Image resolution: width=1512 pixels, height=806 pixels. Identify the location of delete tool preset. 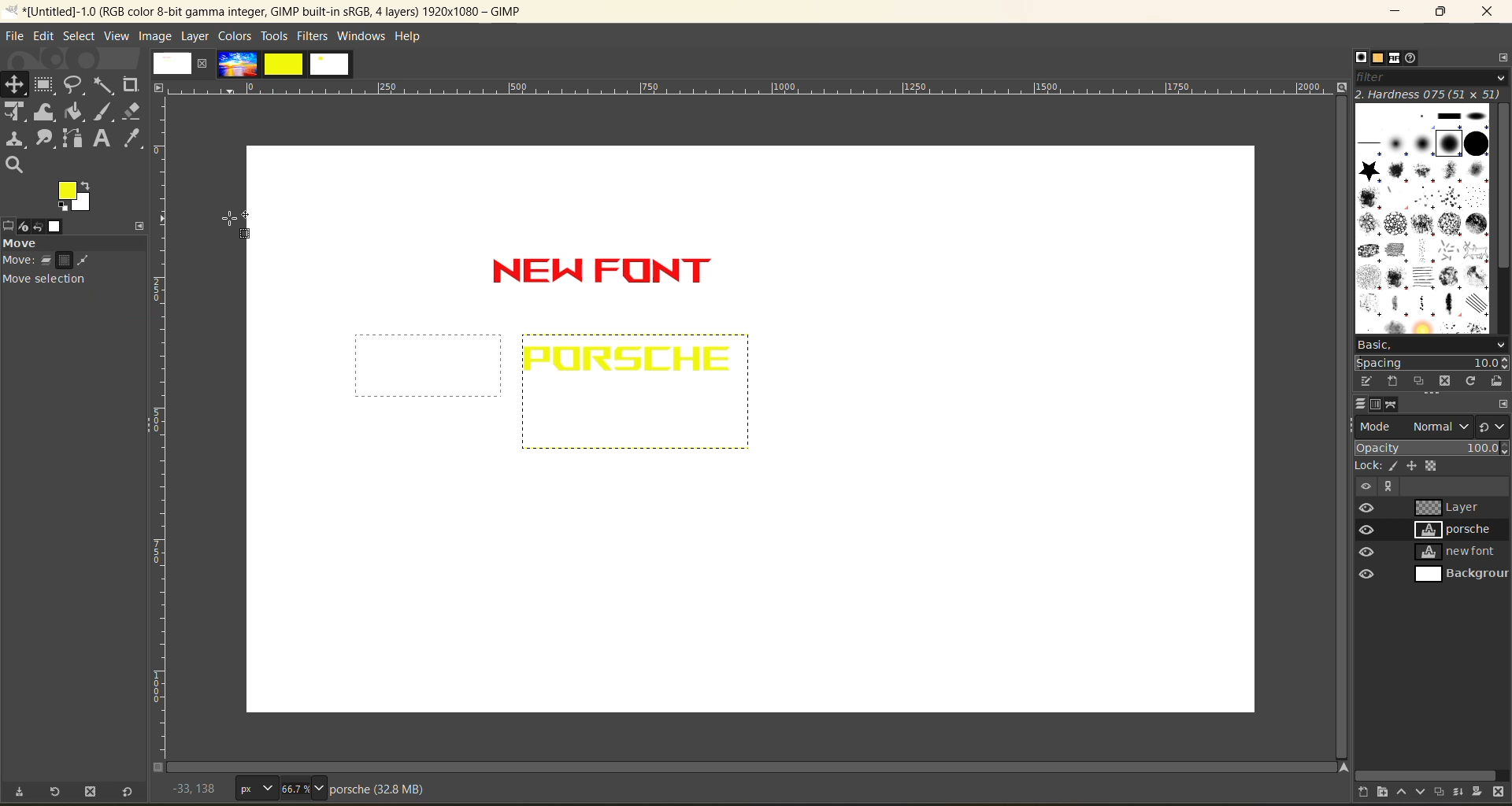
(91, 793).